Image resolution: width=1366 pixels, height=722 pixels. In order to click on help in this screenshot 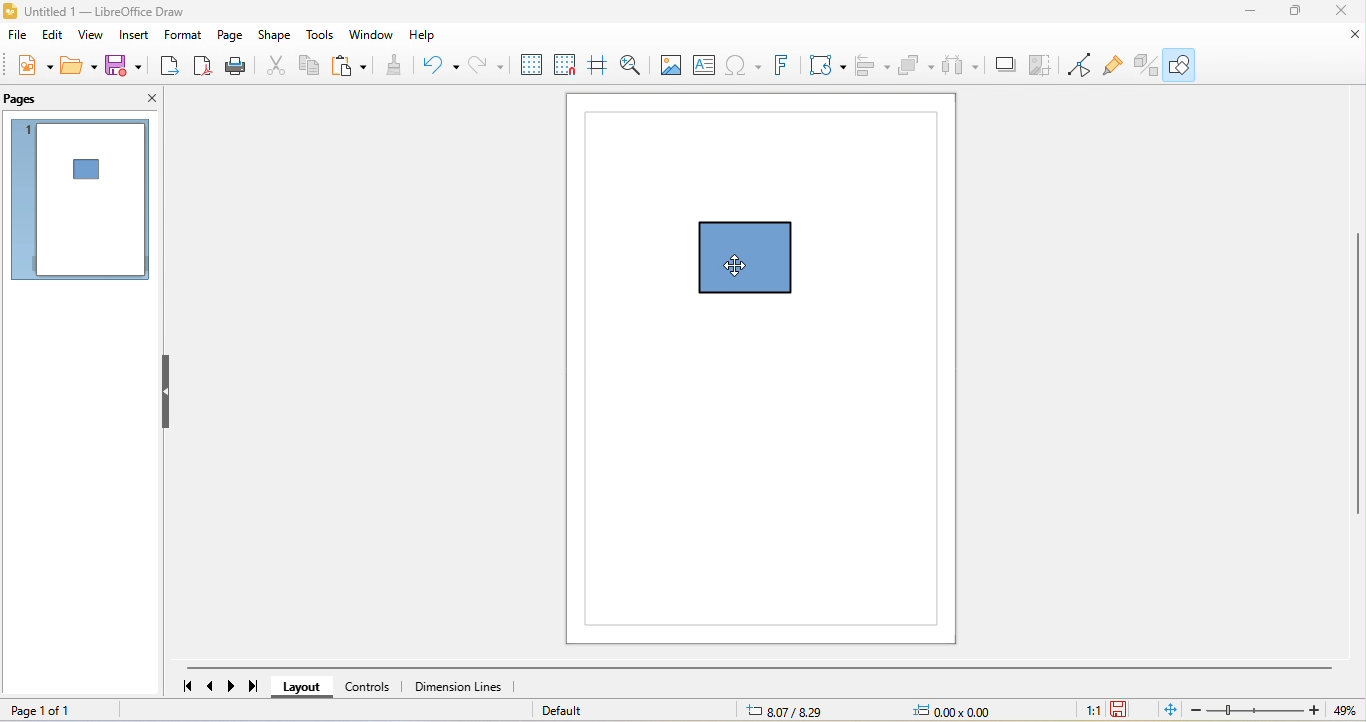, I will do `click(426, 35)`.